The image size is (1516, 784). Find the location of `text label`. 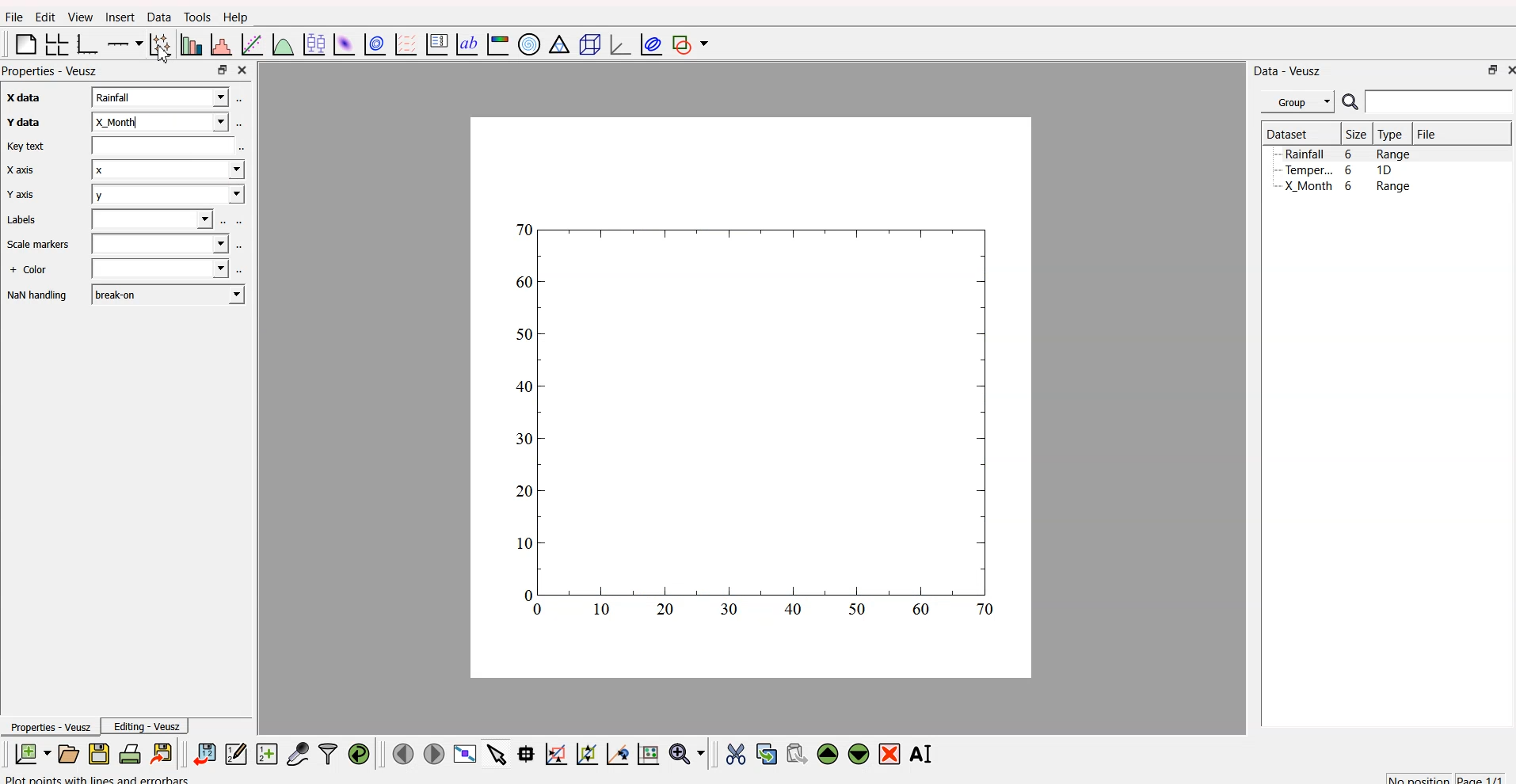

text label is located at coordinates (465, 45).